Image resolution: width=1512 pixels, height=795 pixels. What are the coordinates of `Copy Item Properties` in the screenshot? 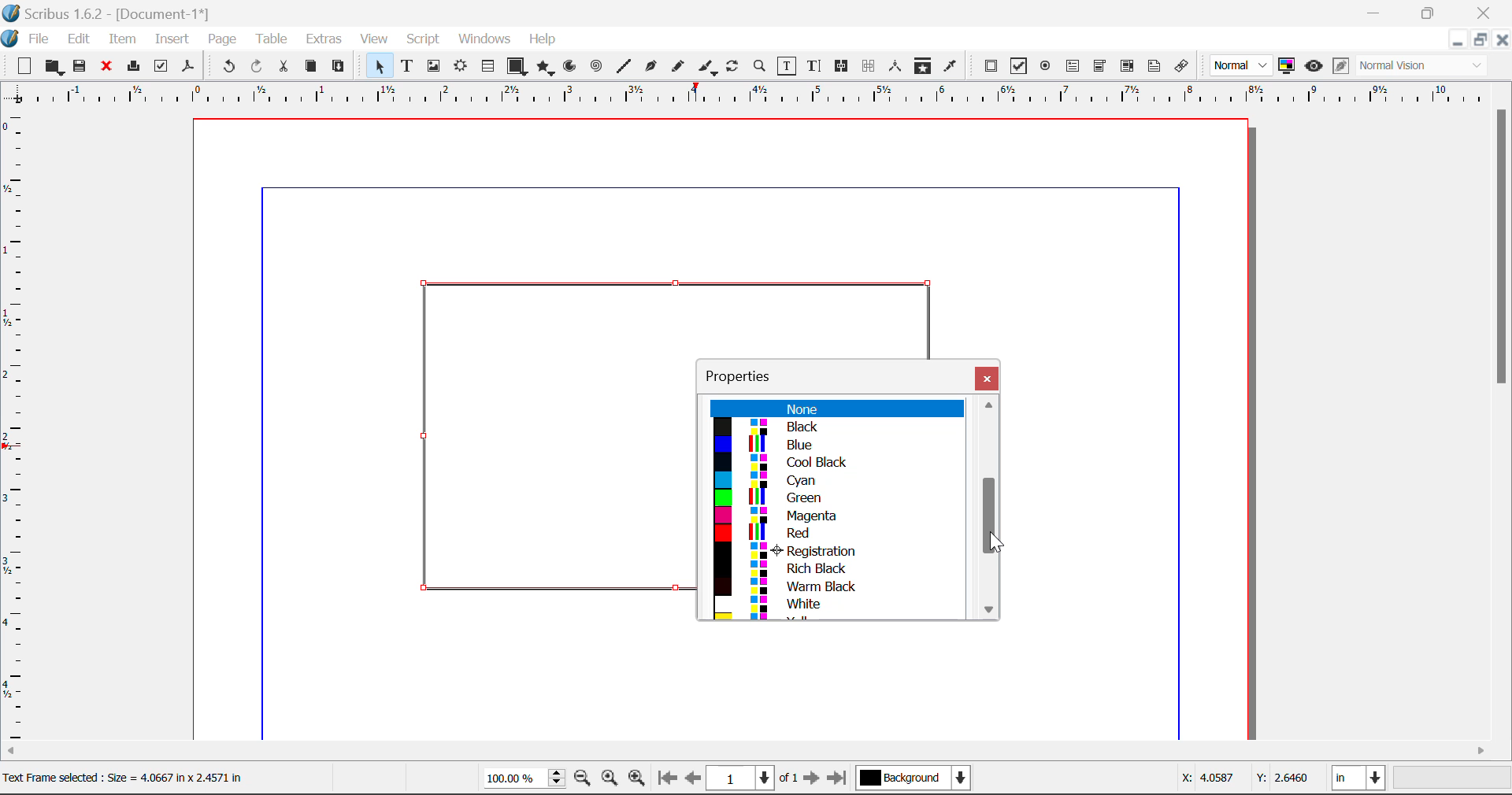 It's located at (922, 66).